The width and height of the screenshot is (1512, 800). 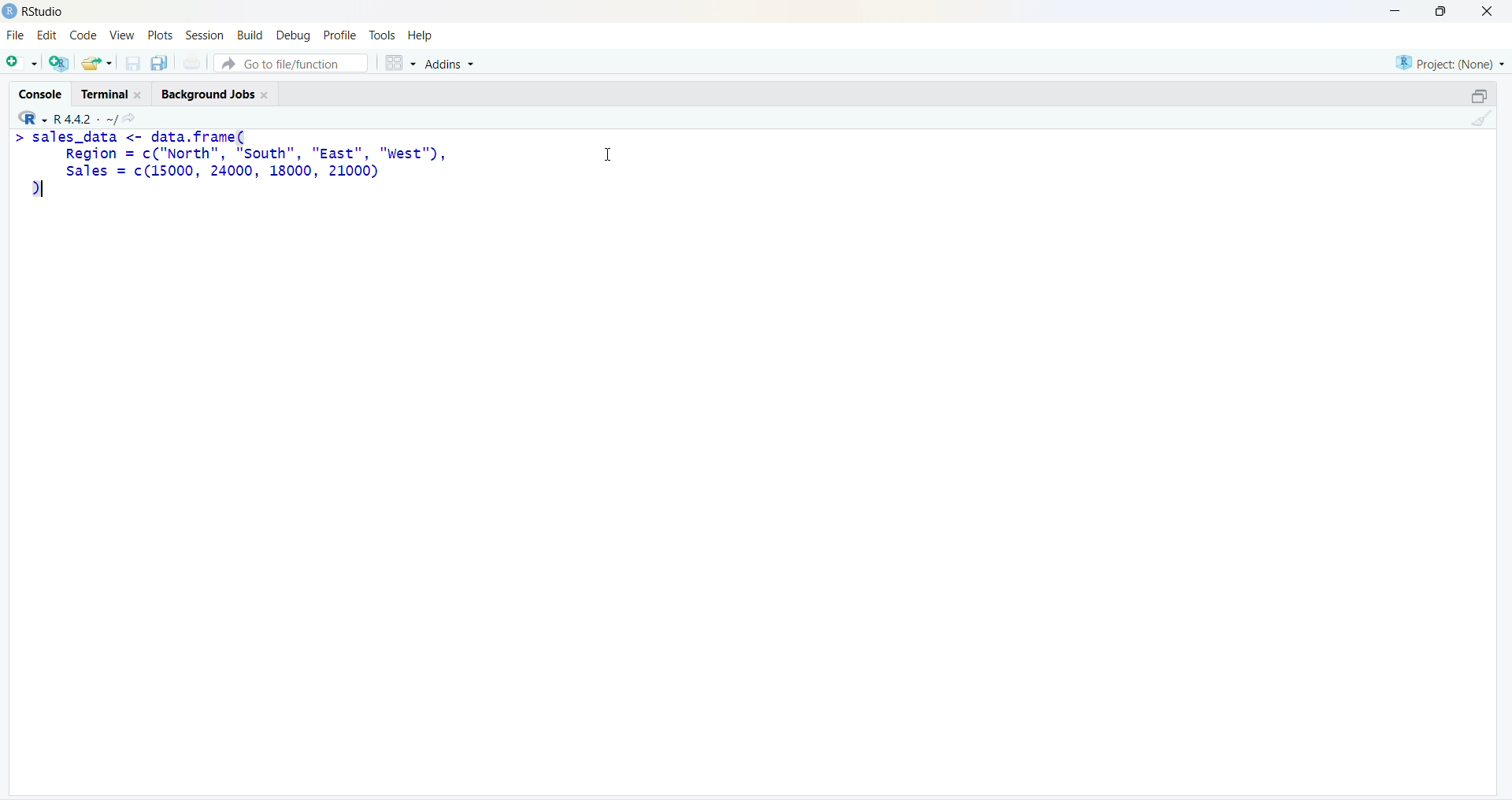 What do you see at coordinates (382, 35) in the screenshot?
I see `tools` at bounding box center [382, 35].